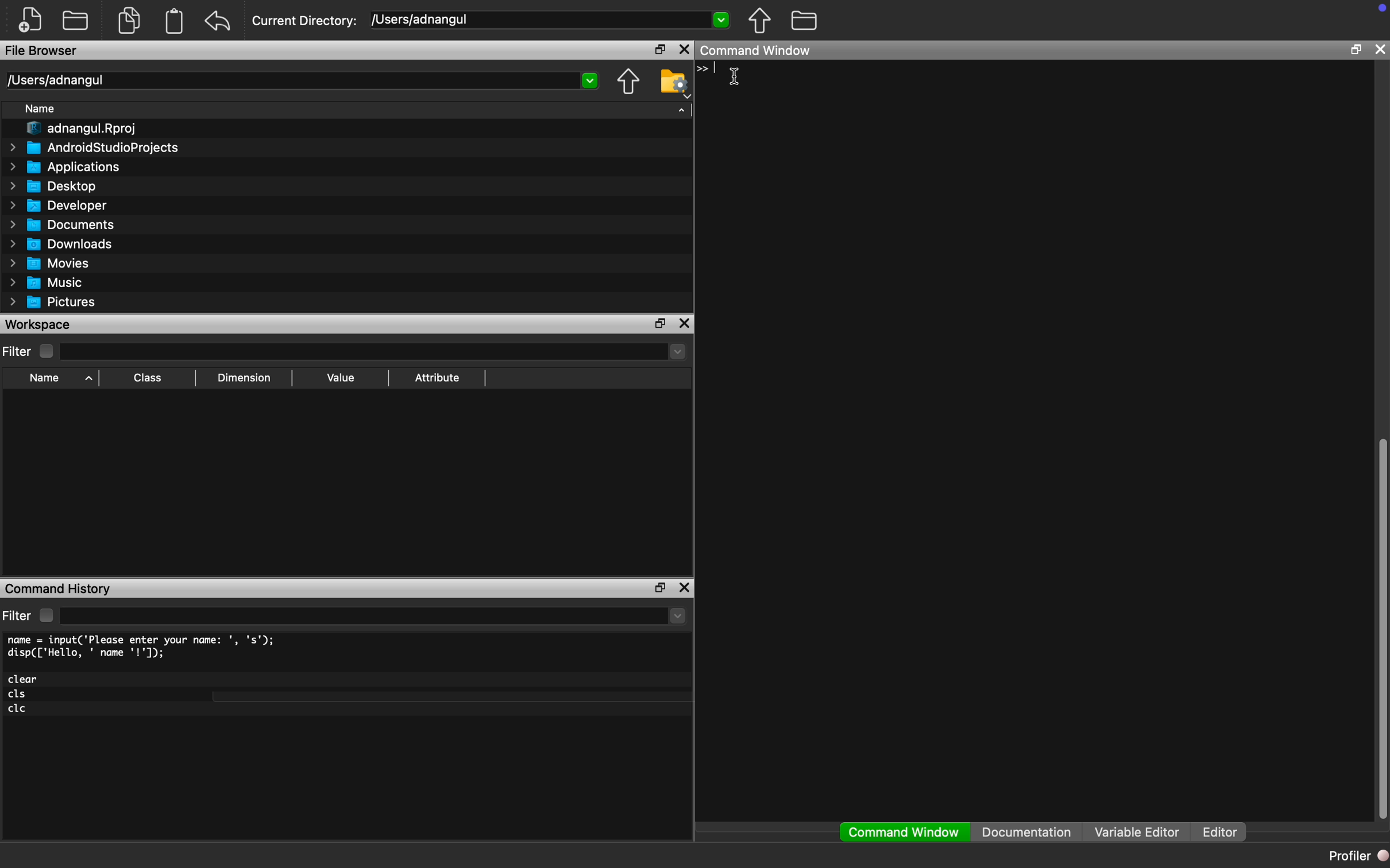 This screenshot has width=1390, height=868. What do you see at coordinates (1382, 7) in the screenshot?
I see `icon` at bounding box center [1382, 7].